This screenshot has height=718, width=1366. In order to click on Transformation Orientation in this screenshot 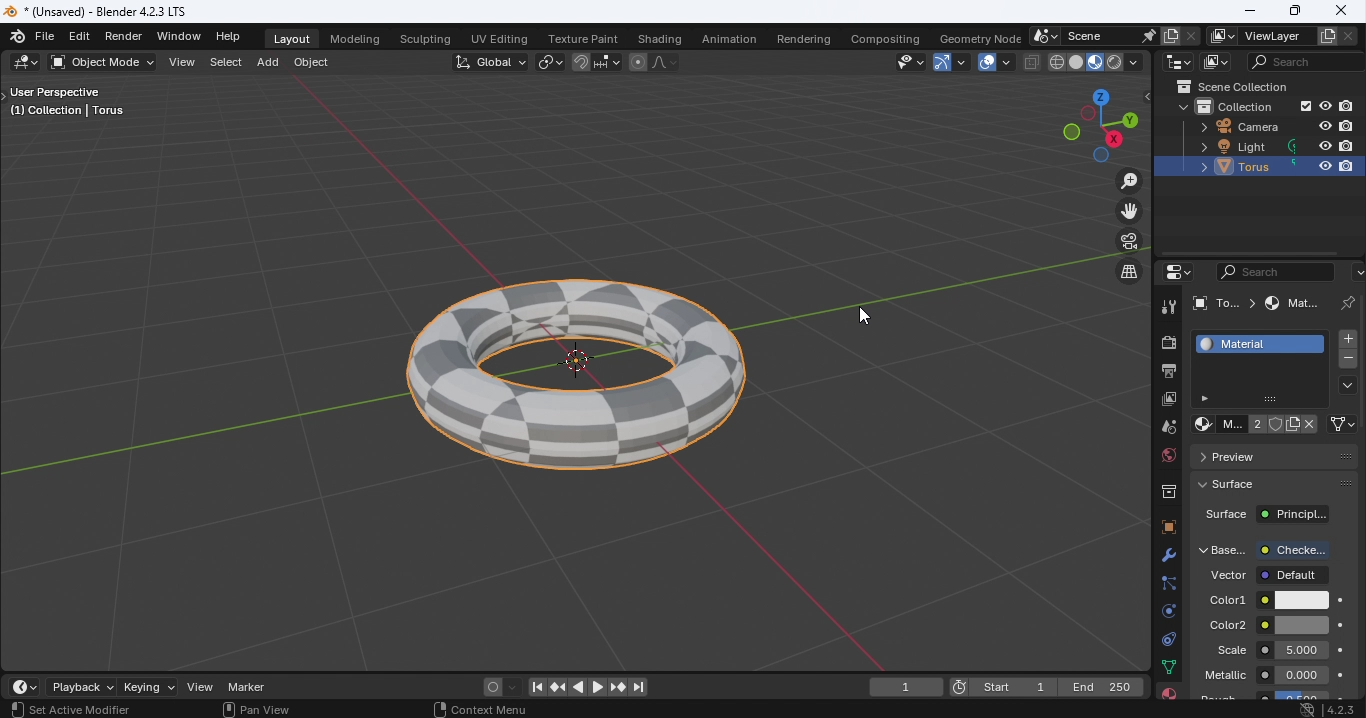, I will do `click(490, 61)`.